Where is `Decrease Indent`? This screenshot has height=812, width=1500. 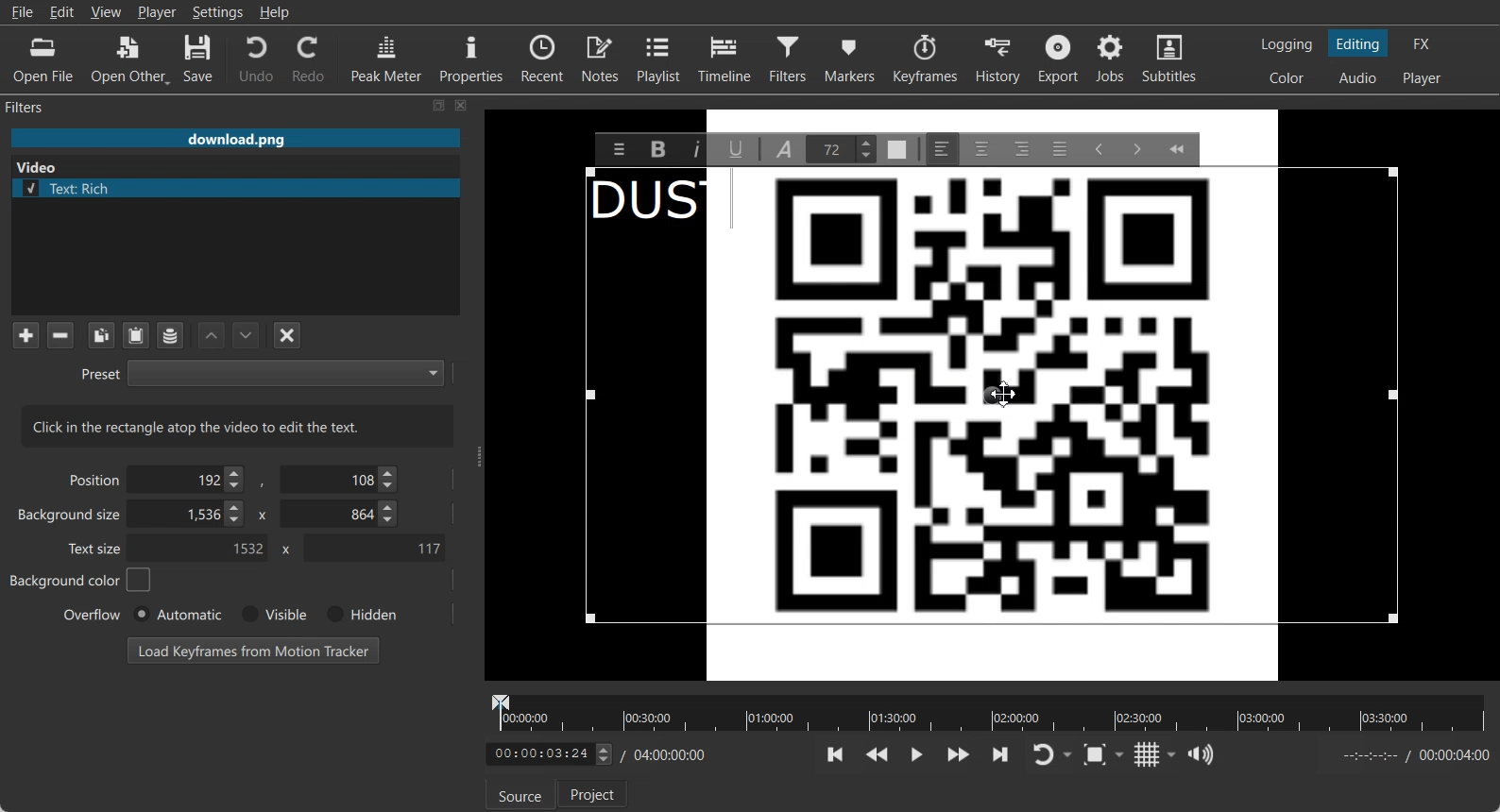 Decrease Indent is located at coordinates (1099, 149).